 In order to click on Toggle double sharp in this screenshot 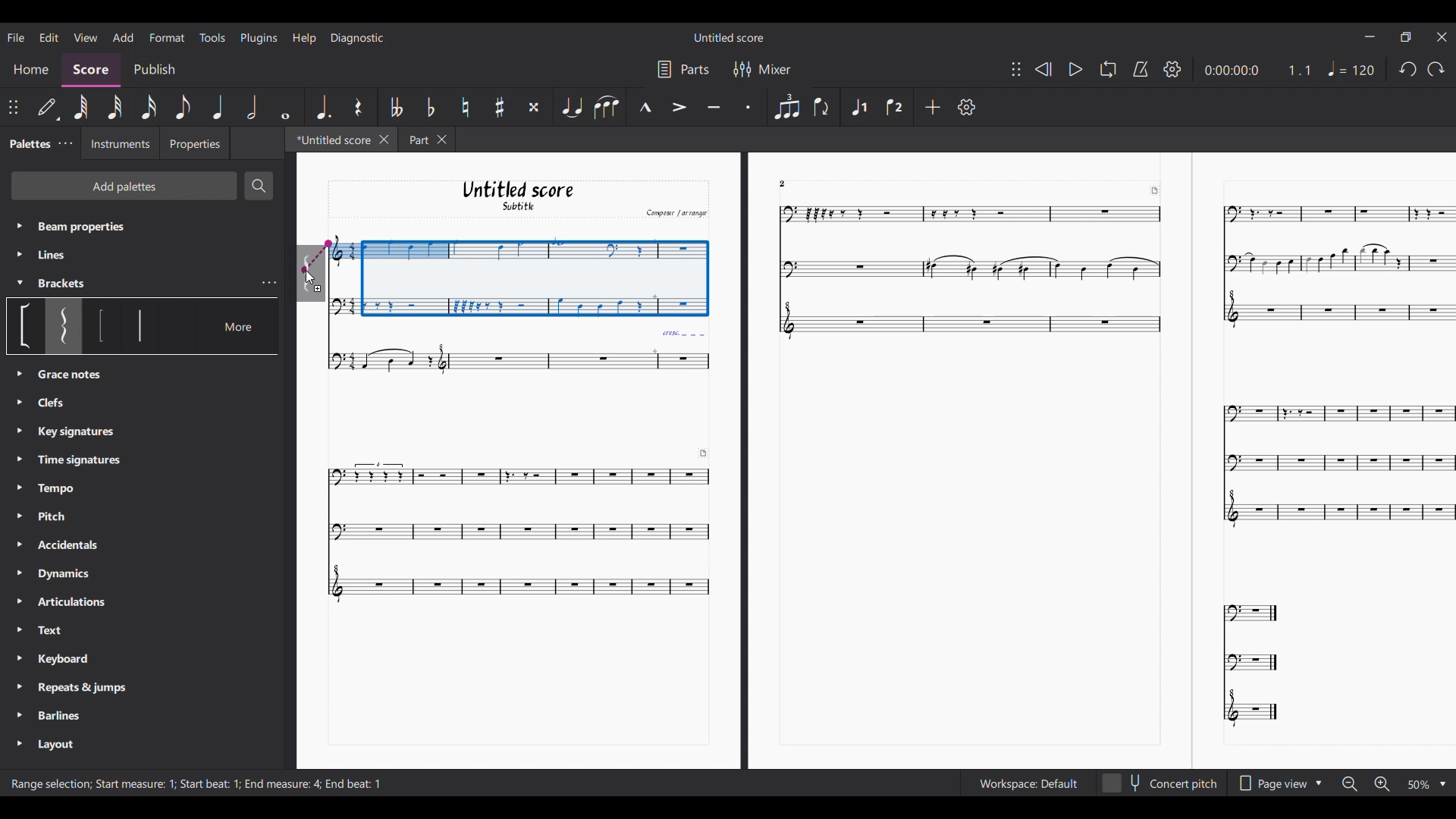, I will do `click(533, 106)`.